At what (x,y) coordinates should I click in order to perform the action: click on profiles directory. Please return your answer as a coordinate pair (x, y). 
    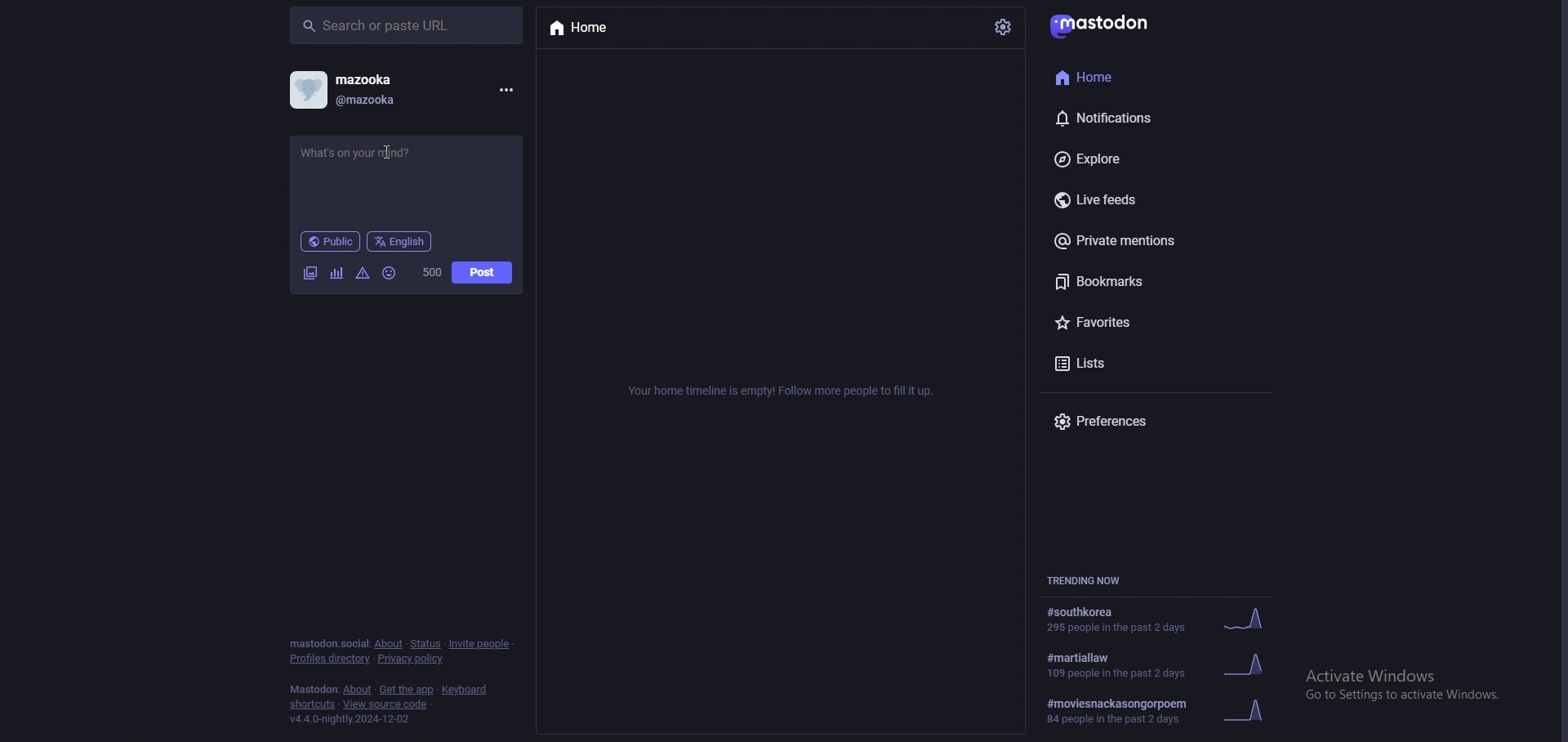
    Looking at the image, I should click on (331, 659).